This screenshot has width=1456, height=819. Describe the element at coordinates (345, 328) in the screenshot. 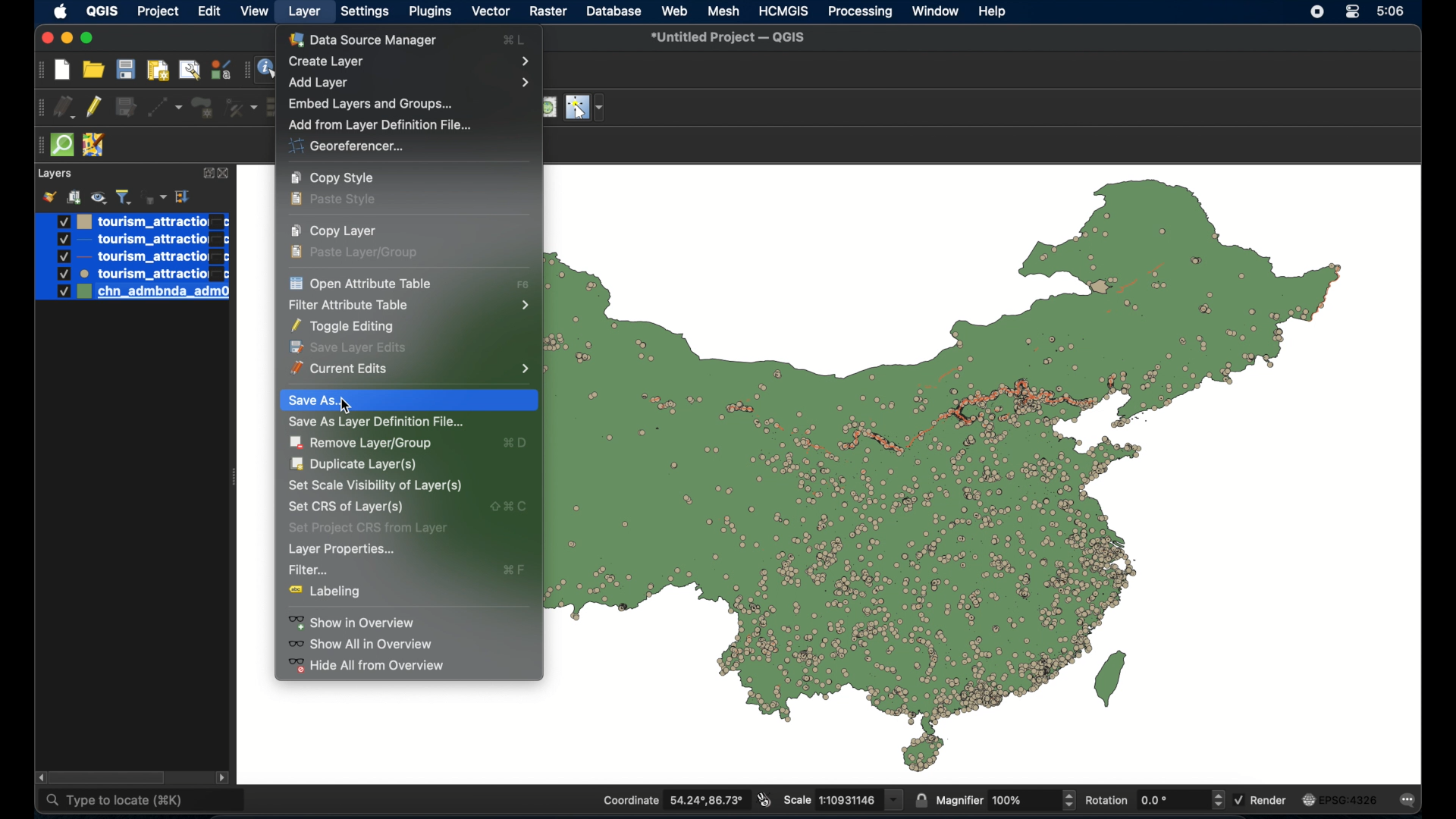

I see `toggle editing` at that location.